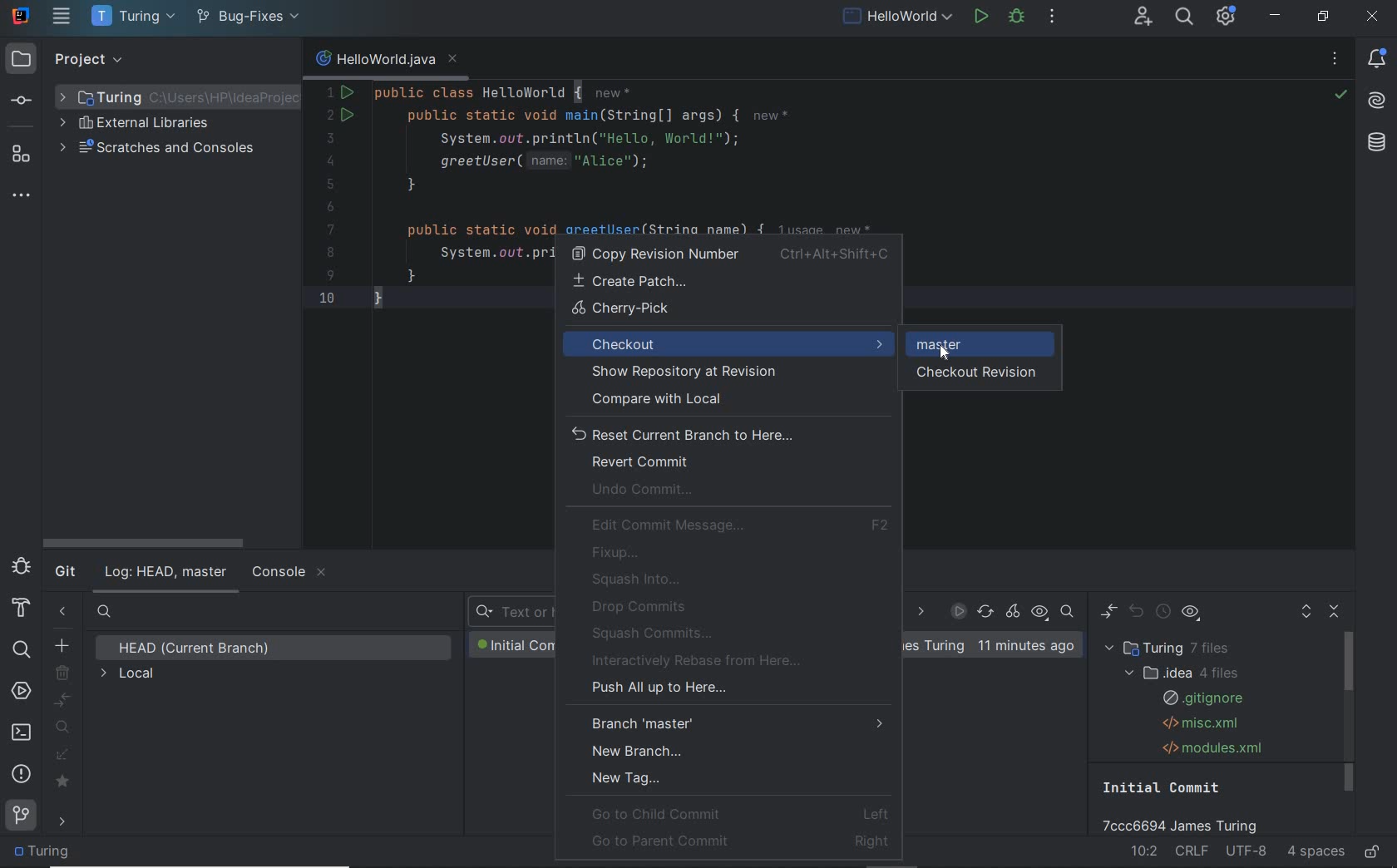 This screenshot has width=1397, height=868. Describe the element at coordinates (935, 647) in the screenshot. I see `BUG-FIXES` at that location.